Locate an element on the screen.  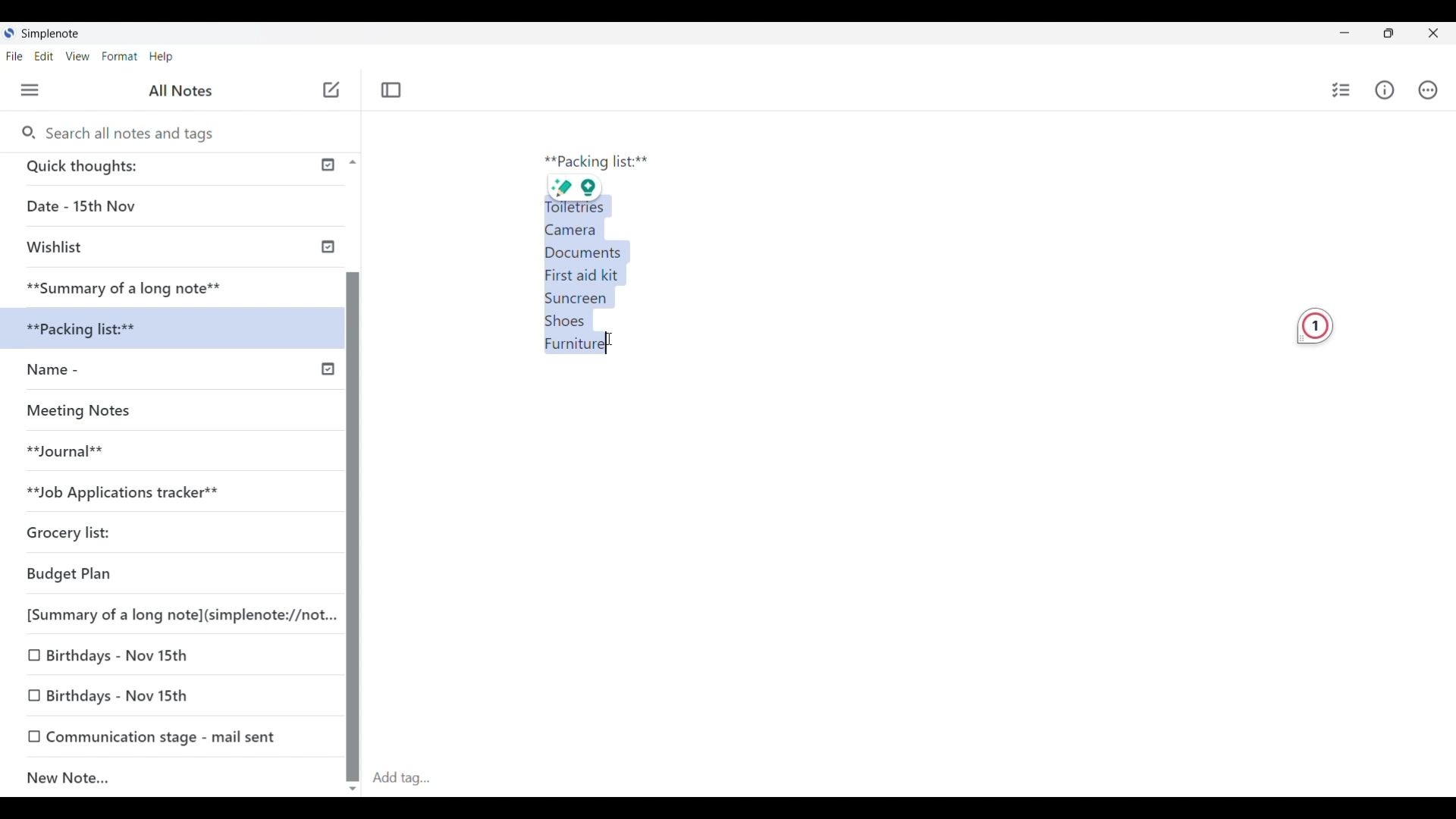
Quick thoughts is located at coordinates (143, 168).